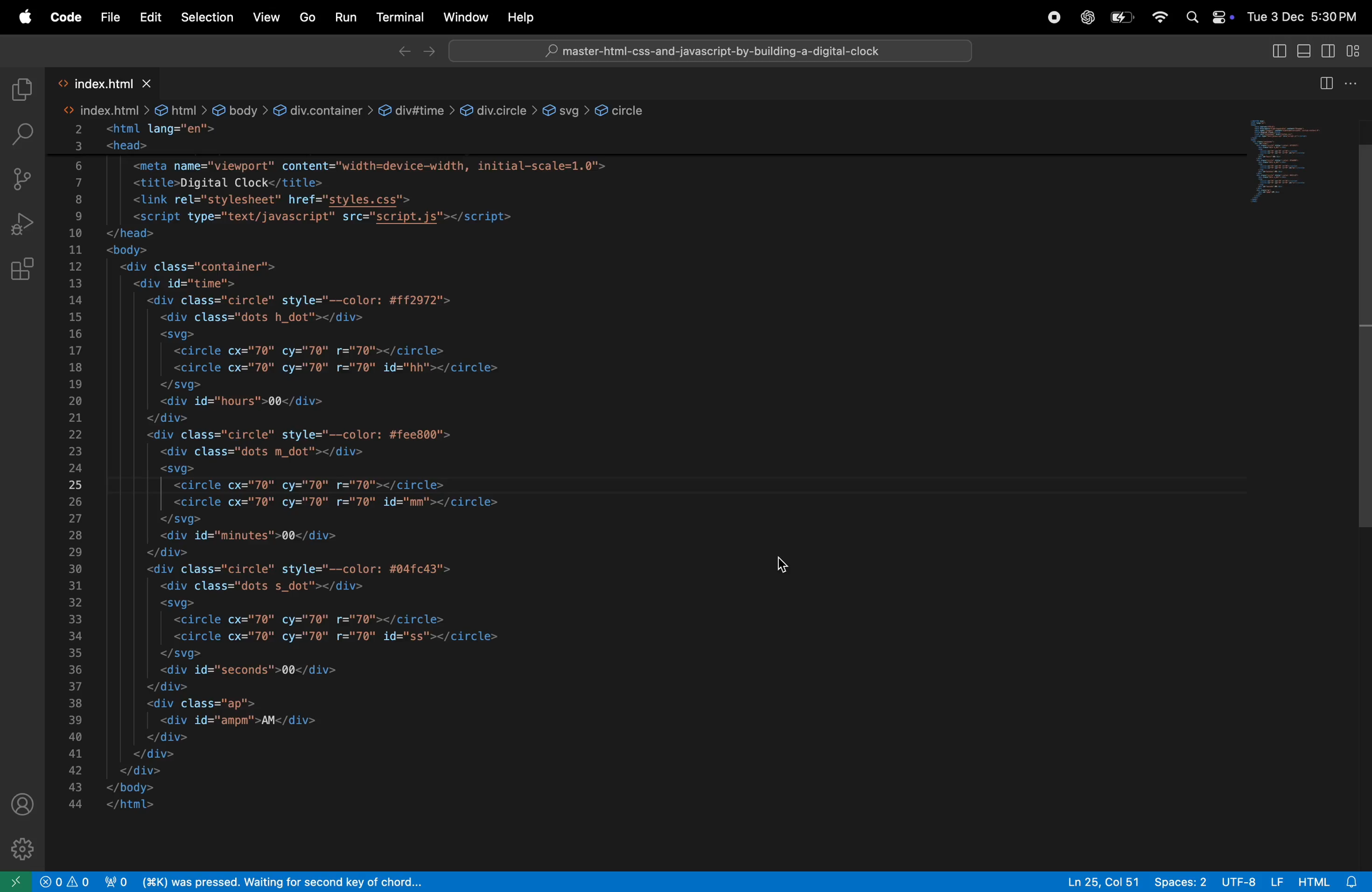 Image resolution: width=1372 pixels, height=892 pixels. Describe the element at coordinates (265, 18) in the screenshot. I see `view` at that location.